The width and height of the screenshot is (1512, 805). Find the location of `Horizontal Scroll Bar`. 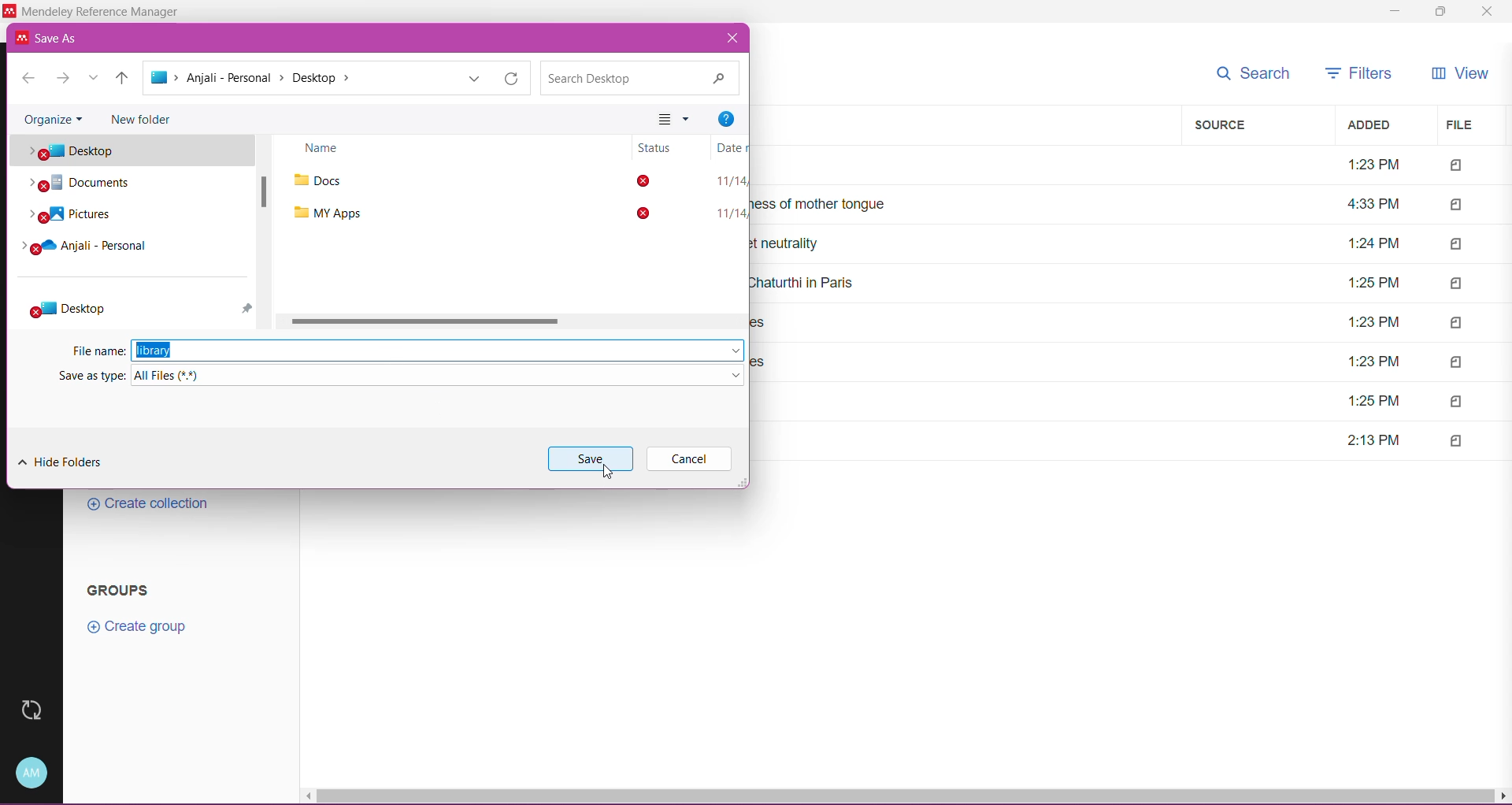

Horizontal Scroll Bar is located at coordinates (906, 796).